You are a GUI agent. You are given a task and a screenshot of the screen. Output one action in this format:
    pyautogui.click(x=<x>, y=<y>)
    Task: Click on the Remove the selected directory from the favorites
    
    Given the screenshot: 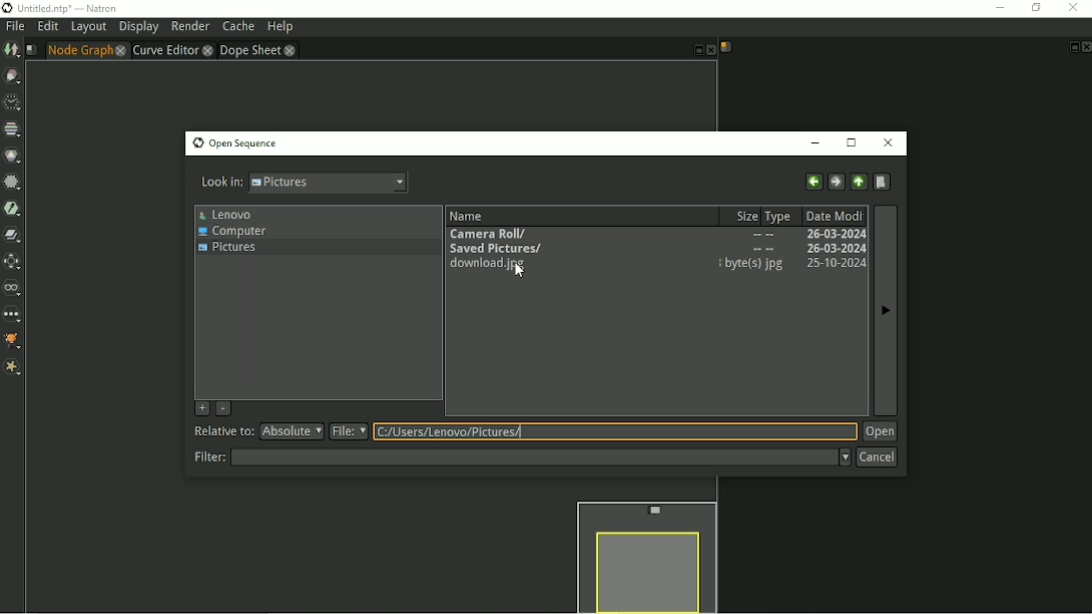 What is the action you would take?
    pyautogui.click(x=222, y=409)
    